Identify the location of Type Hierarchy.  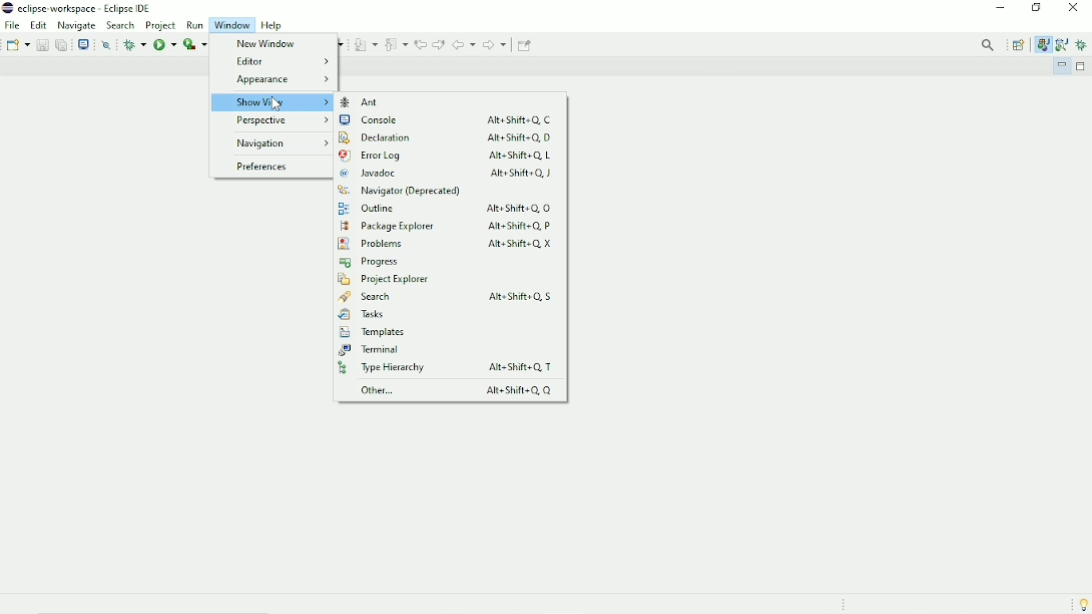
(450, 368).